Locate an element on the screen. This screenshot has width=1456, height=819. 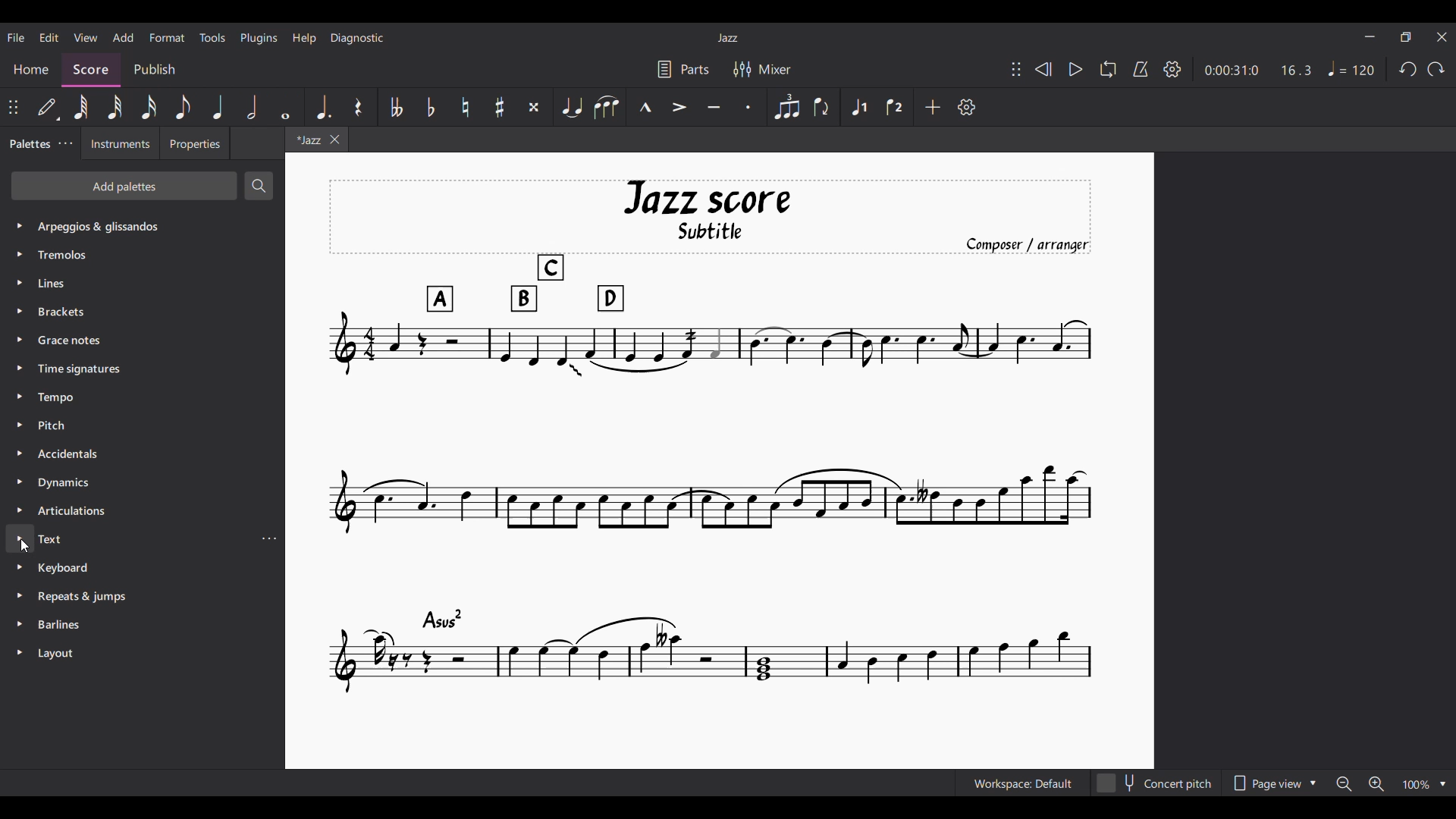
Tenuto is located at coordinates (714, 107).